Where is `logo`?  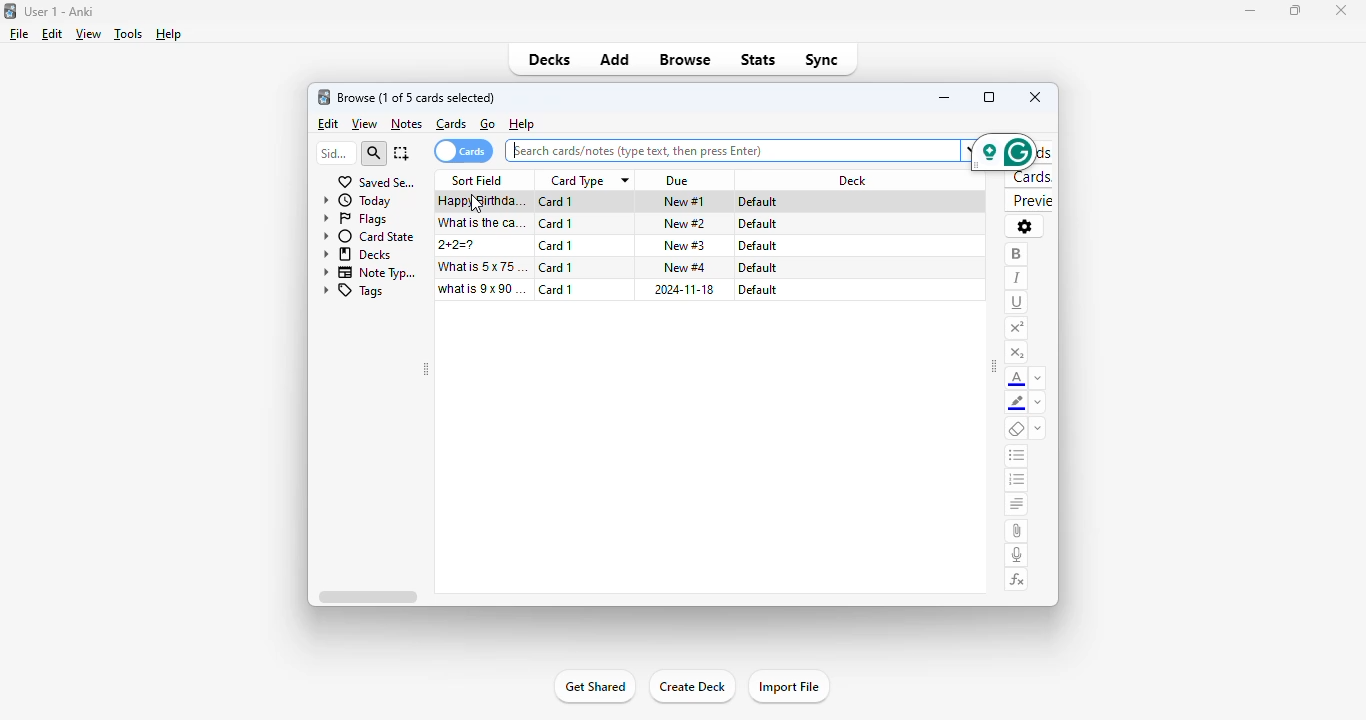
logo is located at coordinates (323, 97).